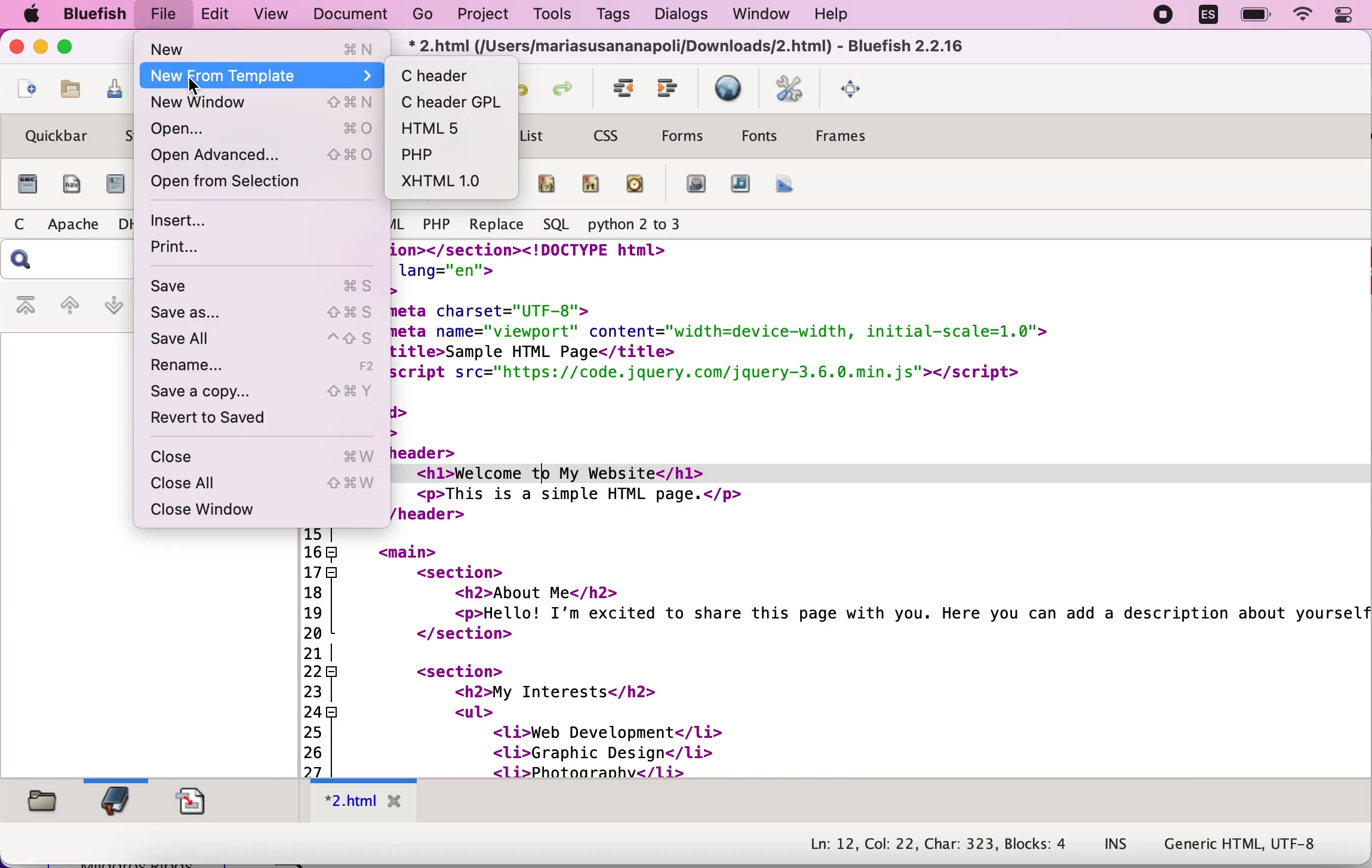  I want to click on ruby parenthesis, so click(546, 184).